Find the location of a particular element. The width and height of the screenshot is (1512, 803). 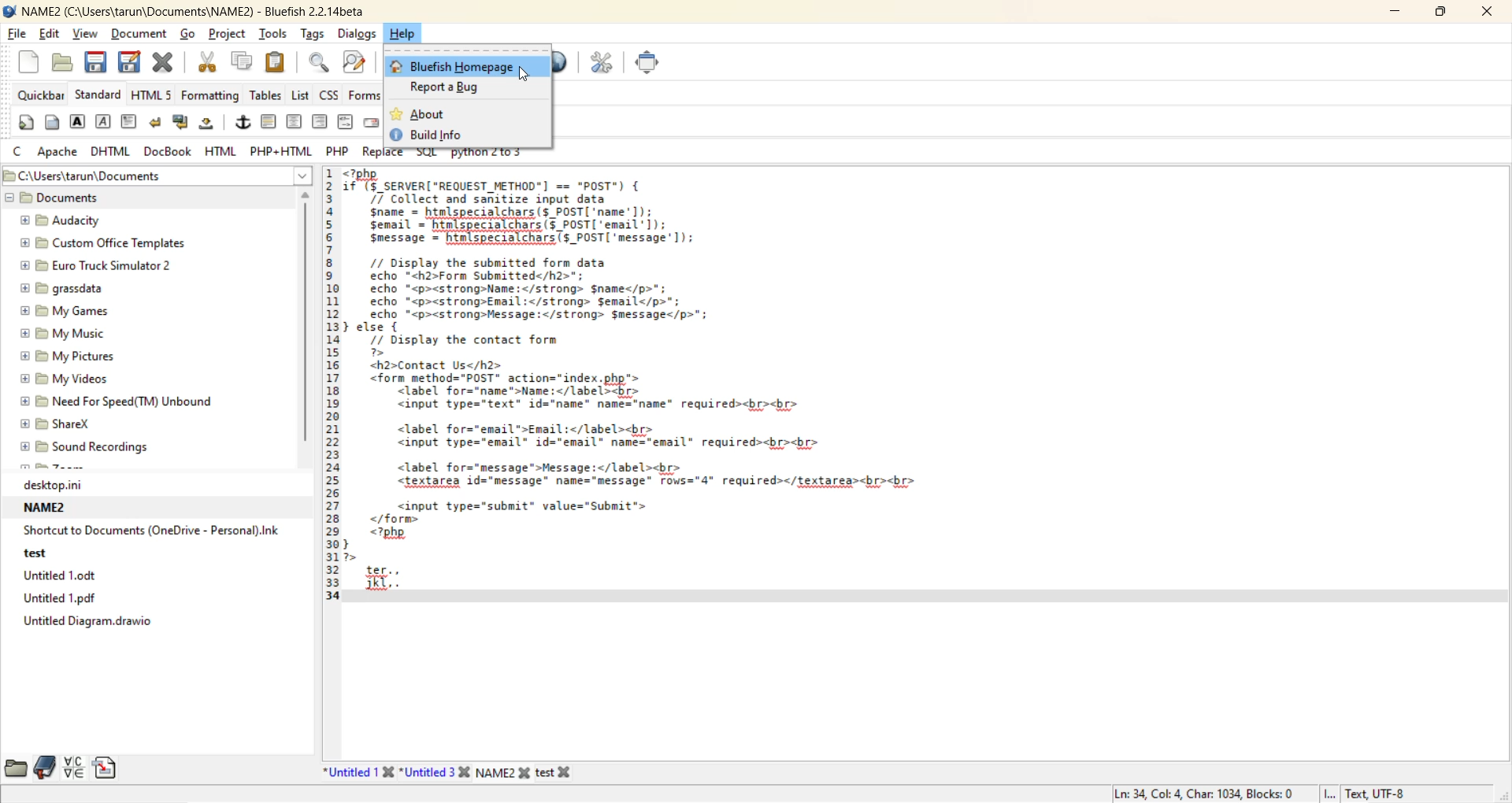

replace is located at coordinates (383, 150).